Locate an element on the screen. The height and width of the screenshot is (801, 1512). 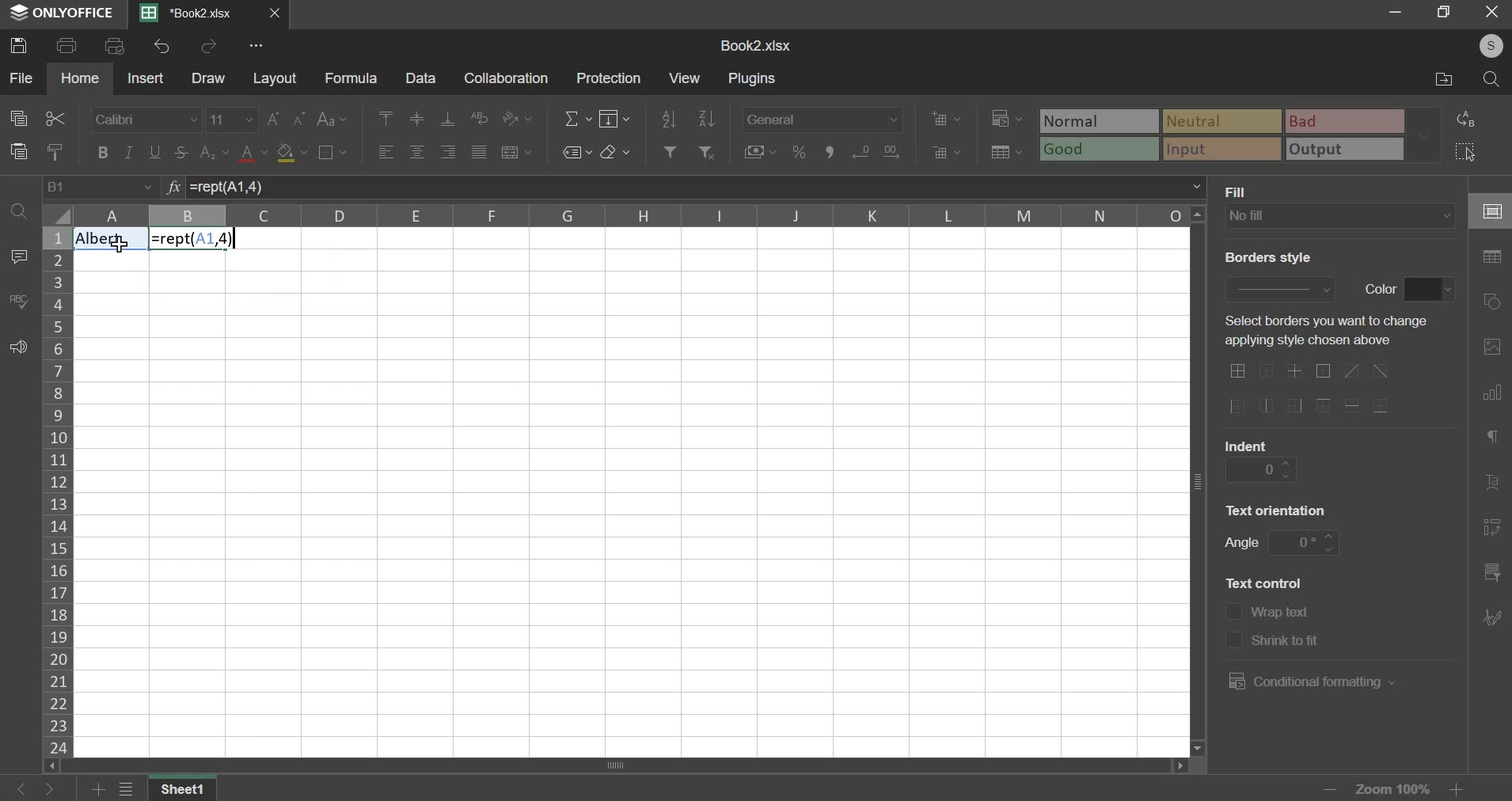
strikethrough is located at coordinates (184, 152).